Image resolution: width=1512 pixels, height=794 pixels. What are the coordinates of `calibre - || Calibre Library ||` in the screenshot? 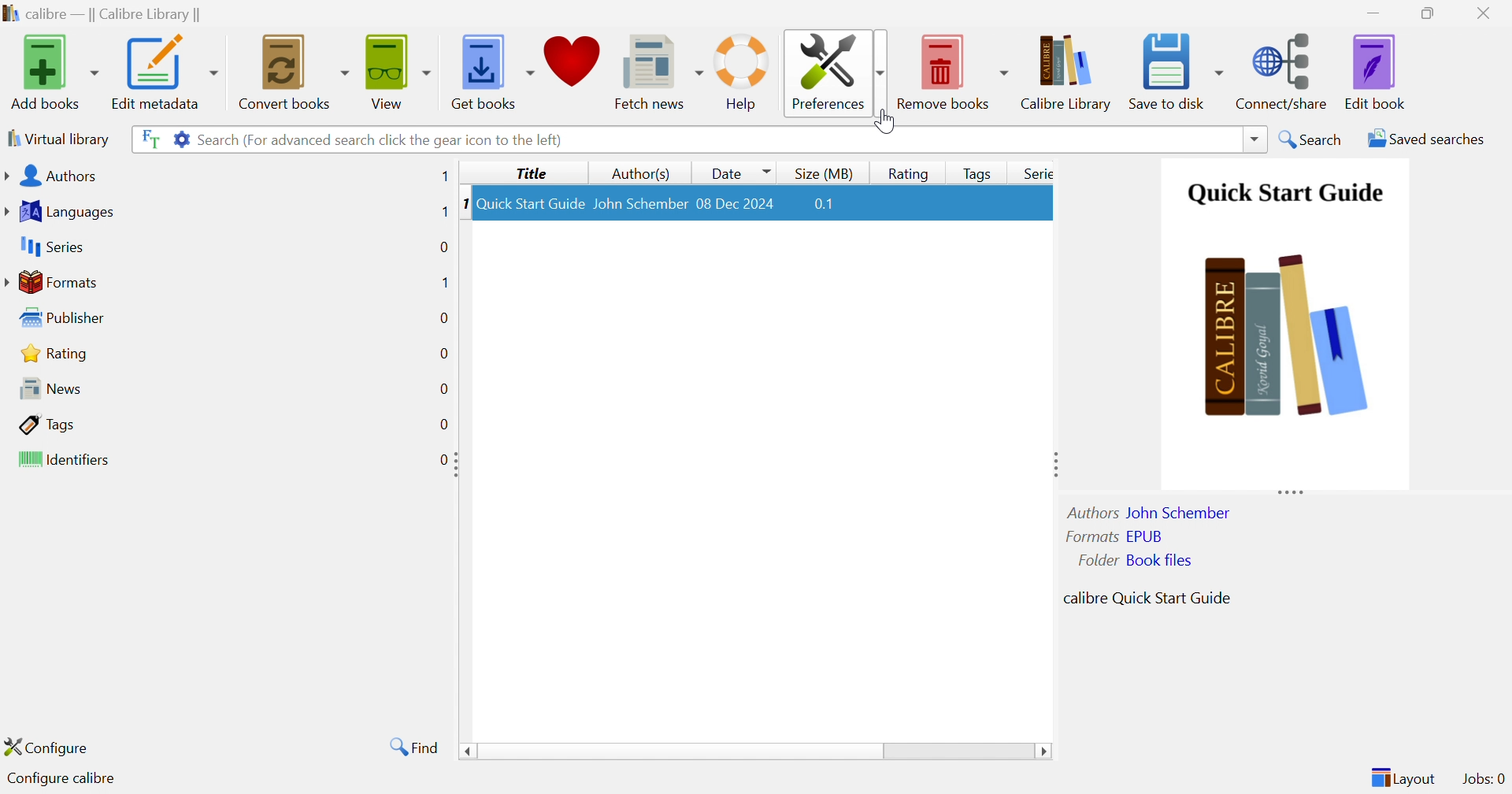 It's located at (100, 15).